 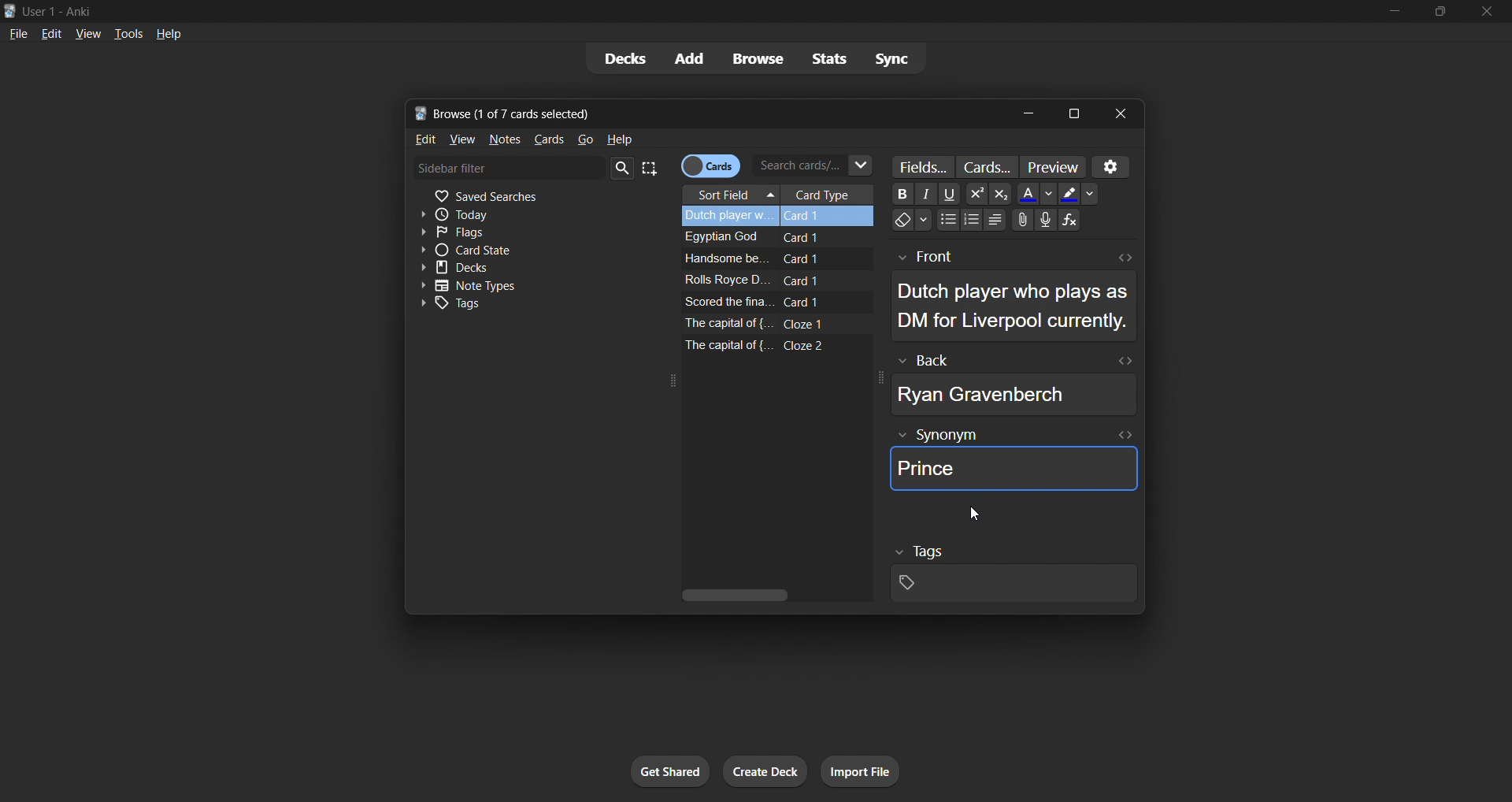 What do you see at coordinates (17, 34) in the screenshot?
I see `file` at bounding box center [17, 34].